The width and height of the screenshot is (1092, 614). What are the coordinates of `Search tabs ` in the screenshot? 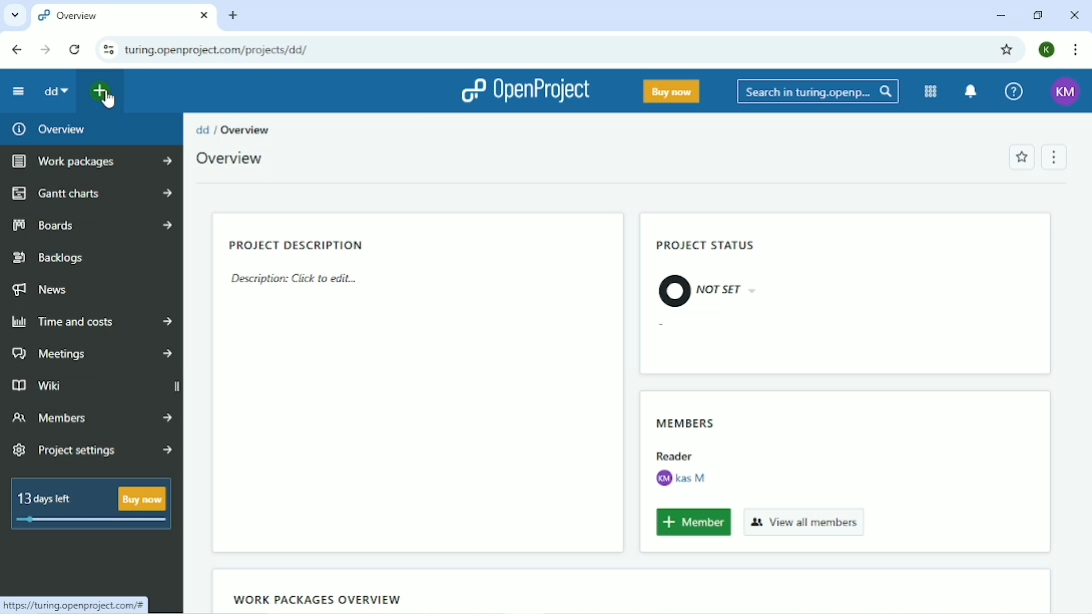 It's located at (15, 17).